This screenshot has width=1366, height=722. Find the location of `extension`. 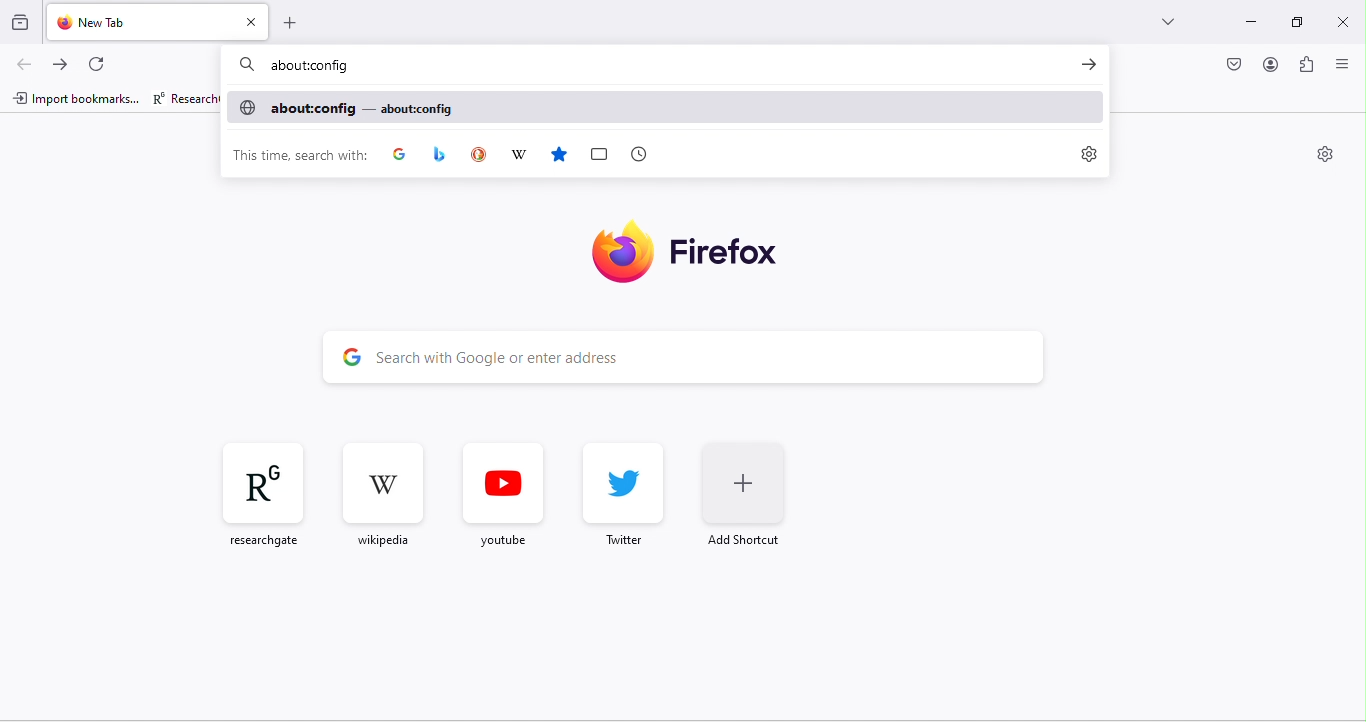

extension is located at coordinates (1307, 64).